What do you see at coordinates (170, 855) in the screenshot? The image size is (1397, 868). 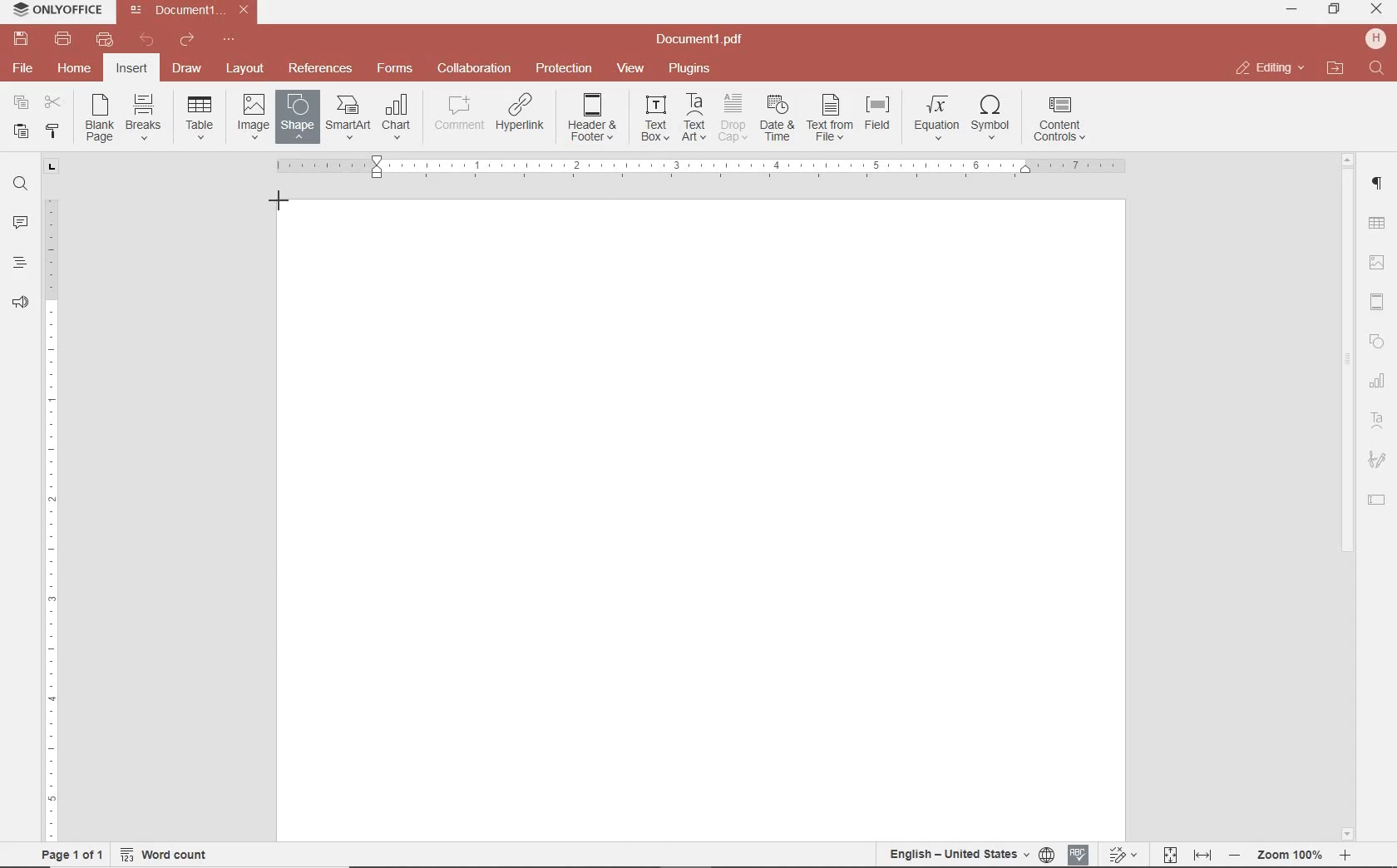 I see `word count` at bounding box center [170, 855].